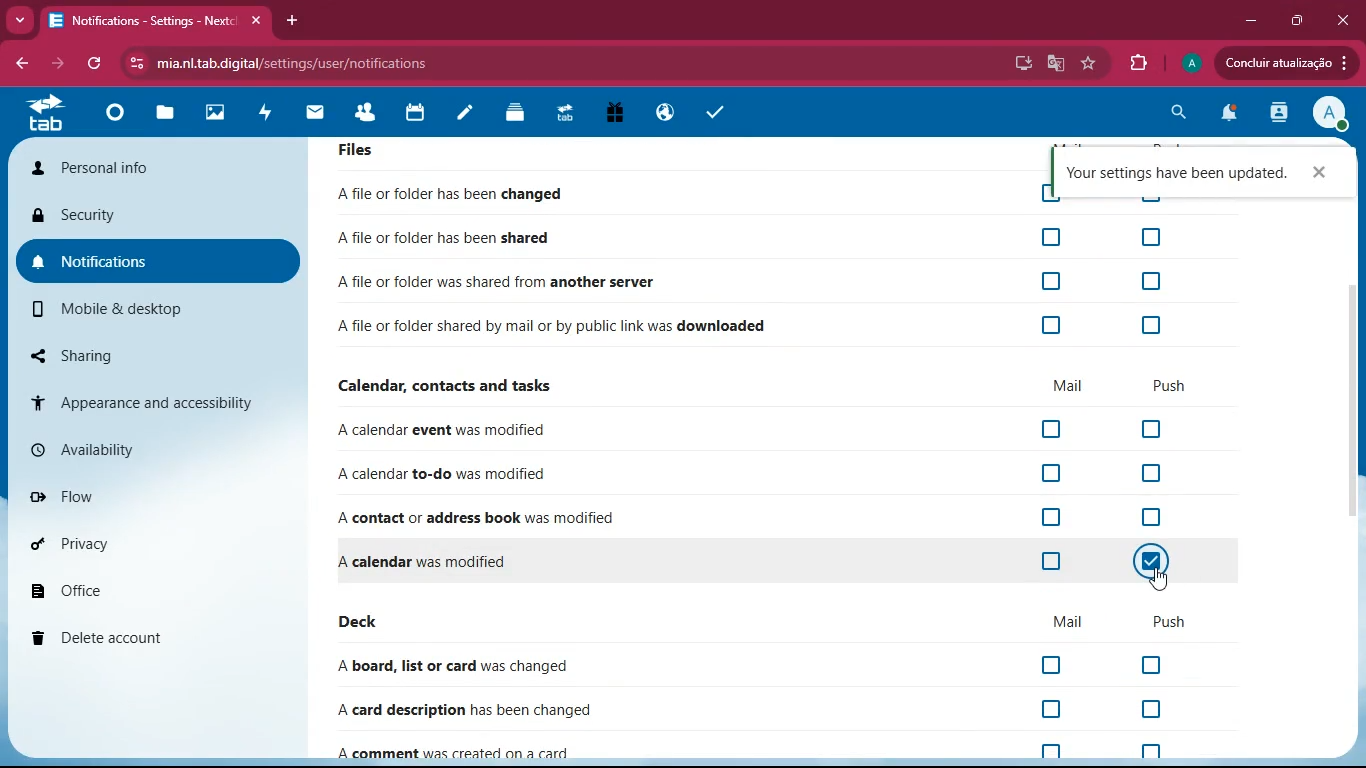  I want to click on off, so click(1052, 563).